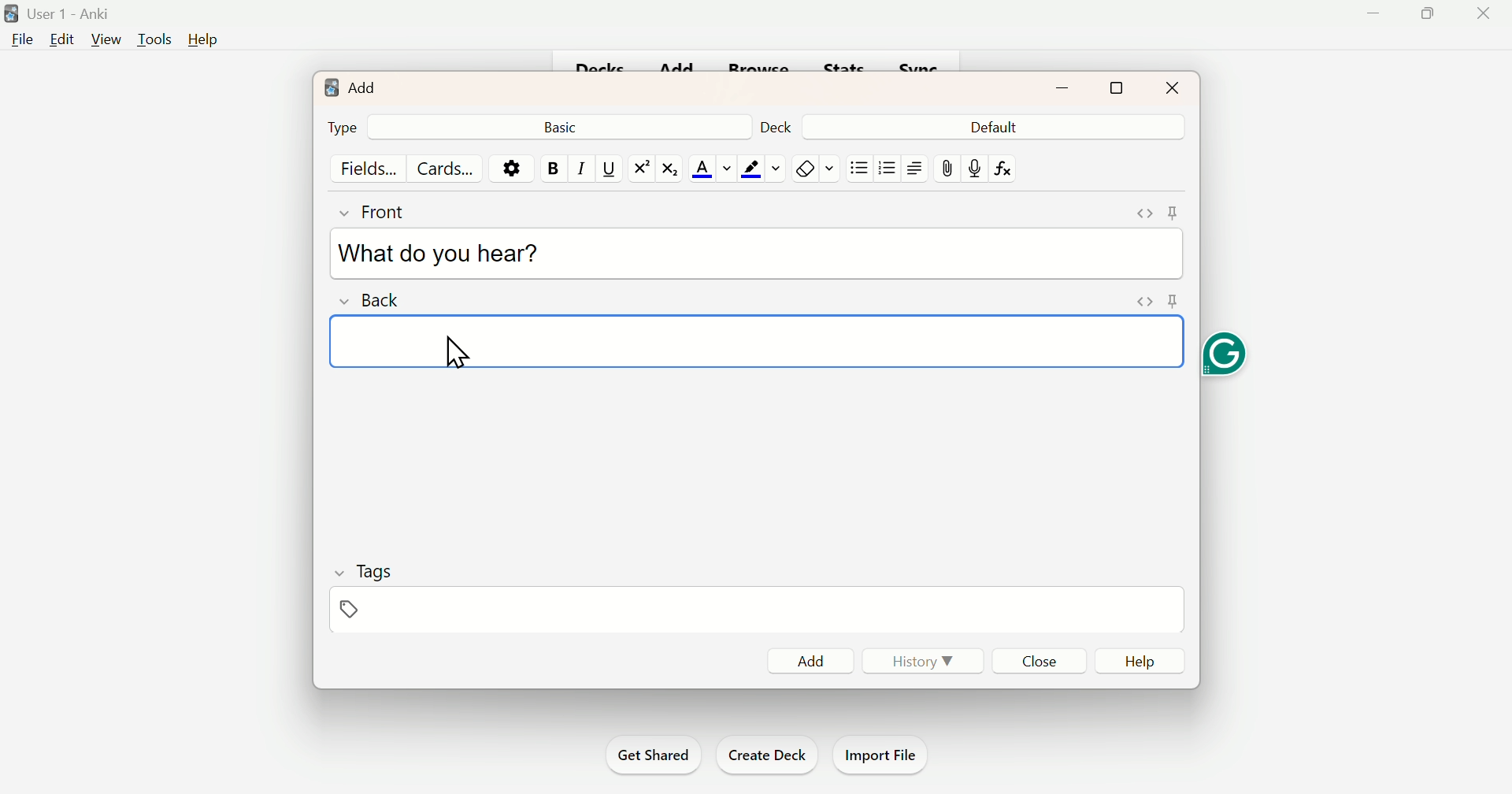 This screenshot has height=794, width=1512. What do you see at coordinates (1143, 659) in the screenshot?
I see `Help` at bounding box center [1143, 659].